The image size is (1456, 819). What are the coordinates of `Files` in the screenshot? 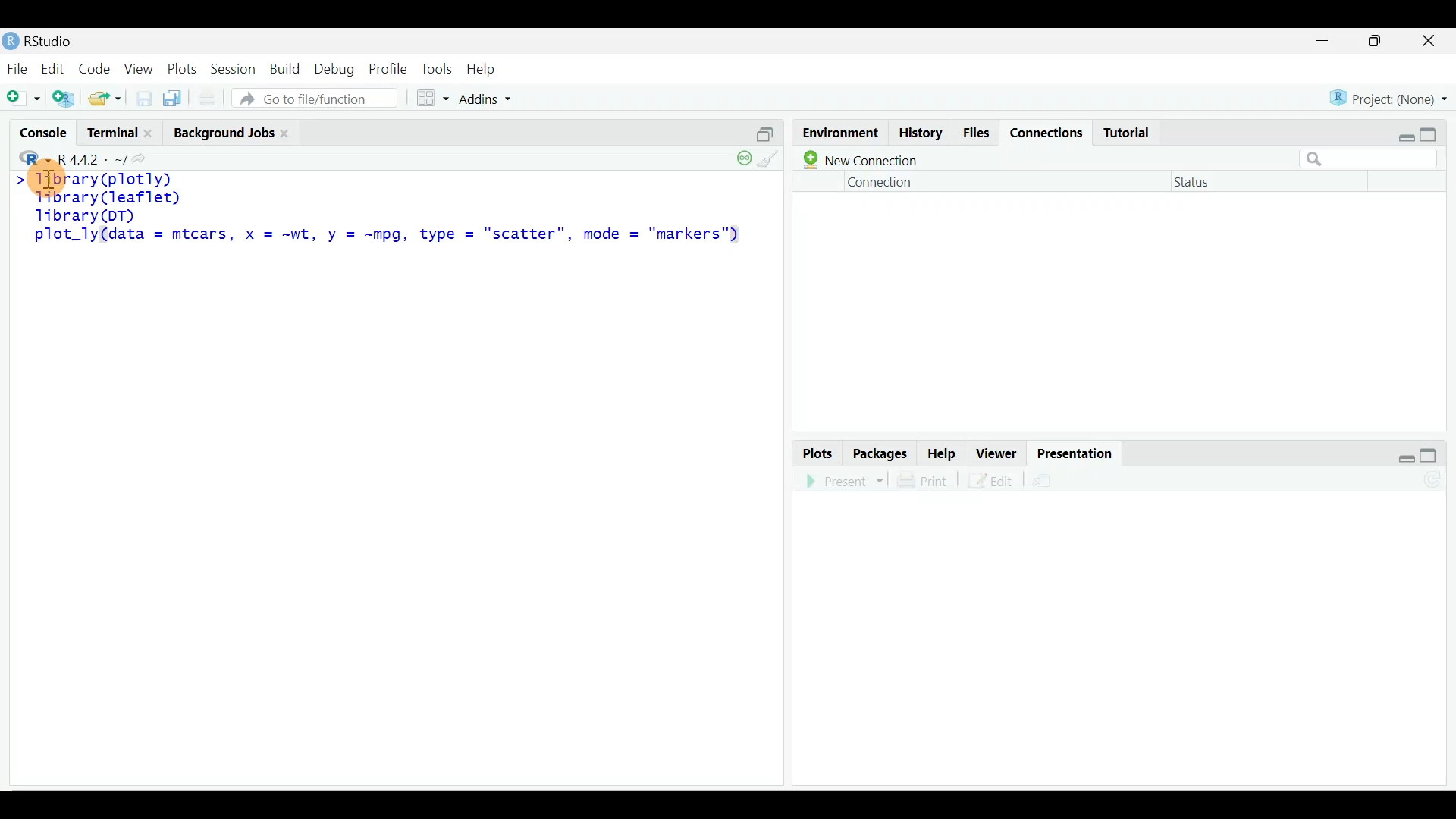 It's located at (974, 131).